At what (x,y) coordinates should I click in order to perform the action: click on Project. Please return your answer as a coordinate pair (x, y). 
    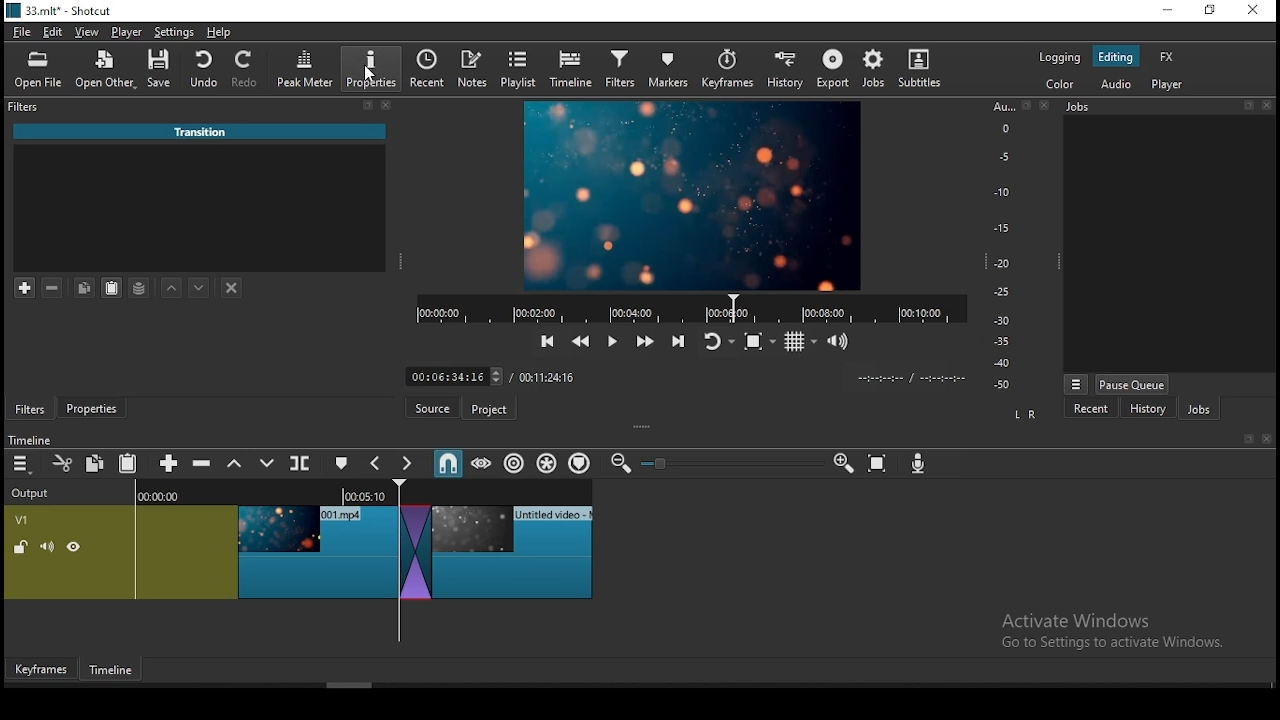
    Looking at the image, I should click on (492, 409).